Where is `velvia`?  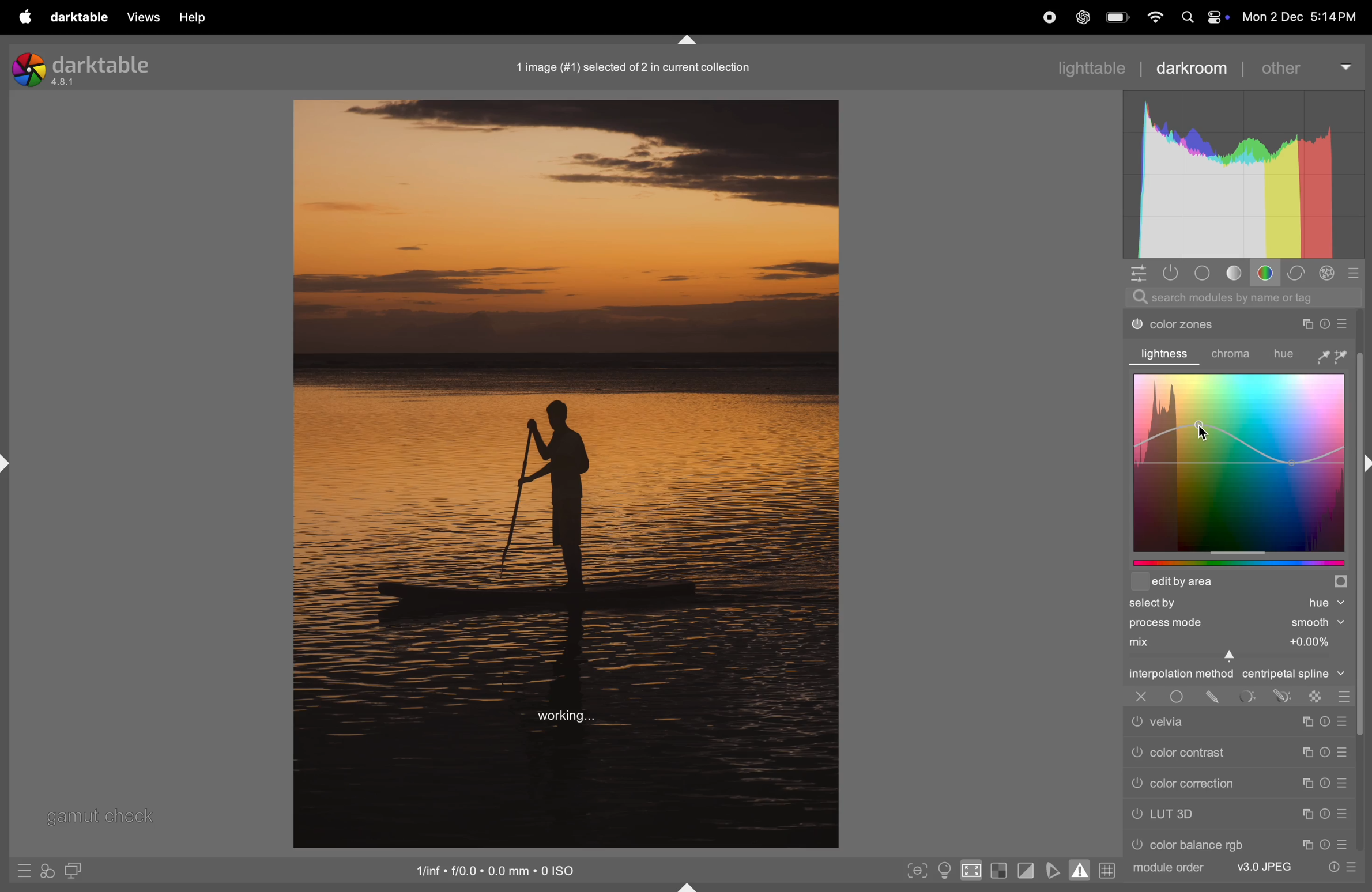 velvia is located at coordinates (1198, 721).